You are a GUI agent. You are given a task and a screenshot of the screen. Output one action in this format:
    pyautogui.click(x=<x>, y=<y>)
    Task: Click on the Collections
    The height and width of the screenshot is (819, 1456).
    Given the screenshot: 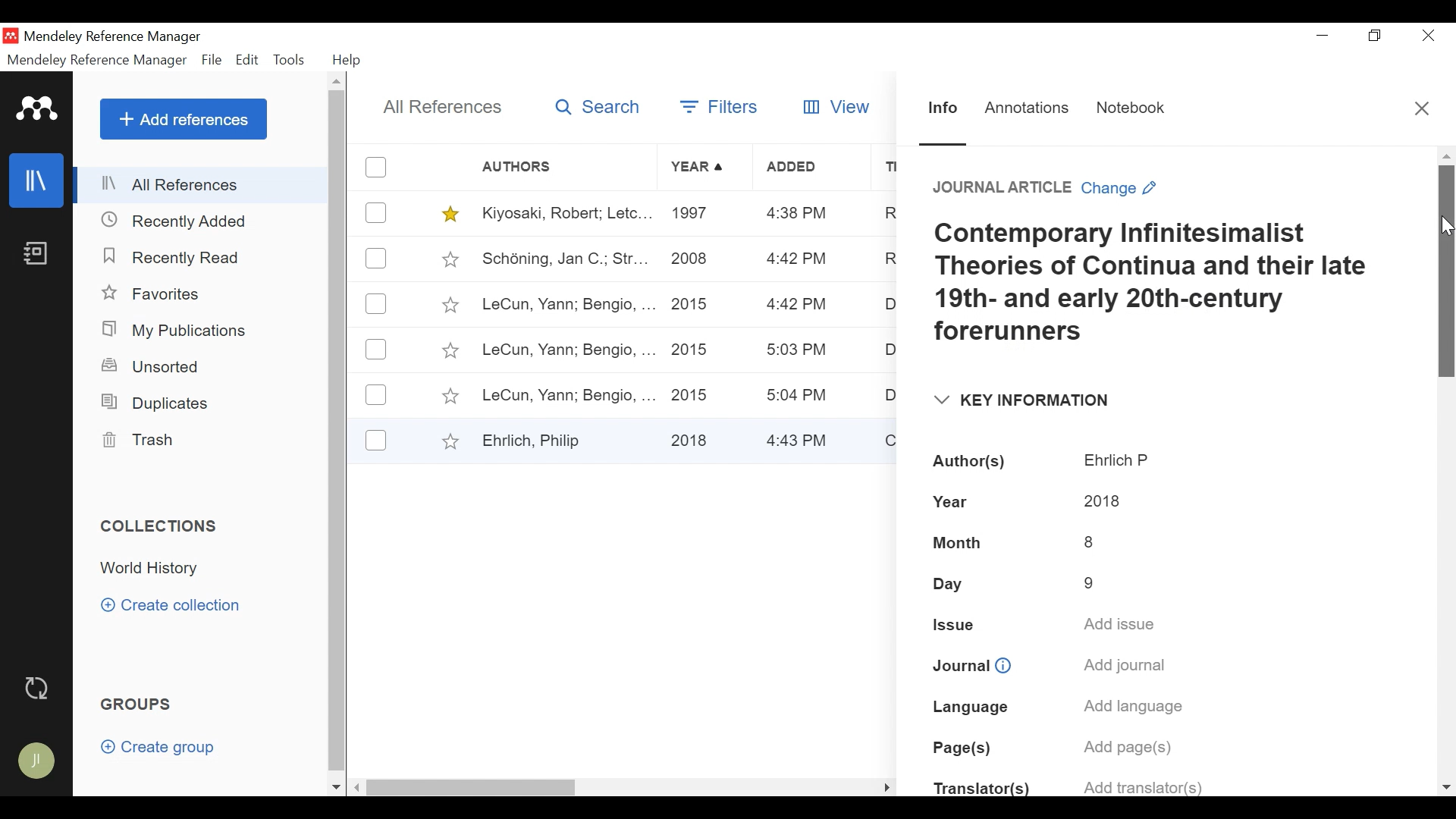 What is the action you would take?
    pyautogui.click(x=161, y=527)
    